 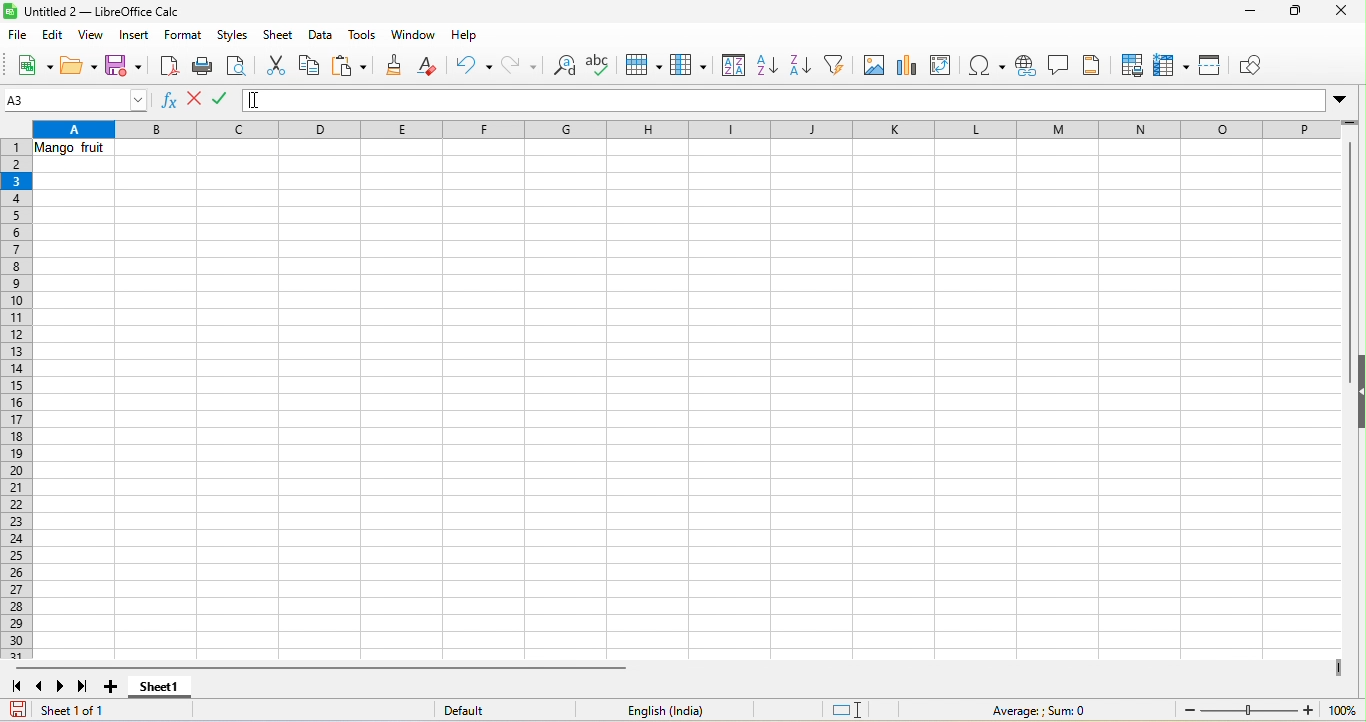 What do you see at coordinates (1028, 67) in the screenshot?
I see `hyperlink` at bounding box center [1028, 67].